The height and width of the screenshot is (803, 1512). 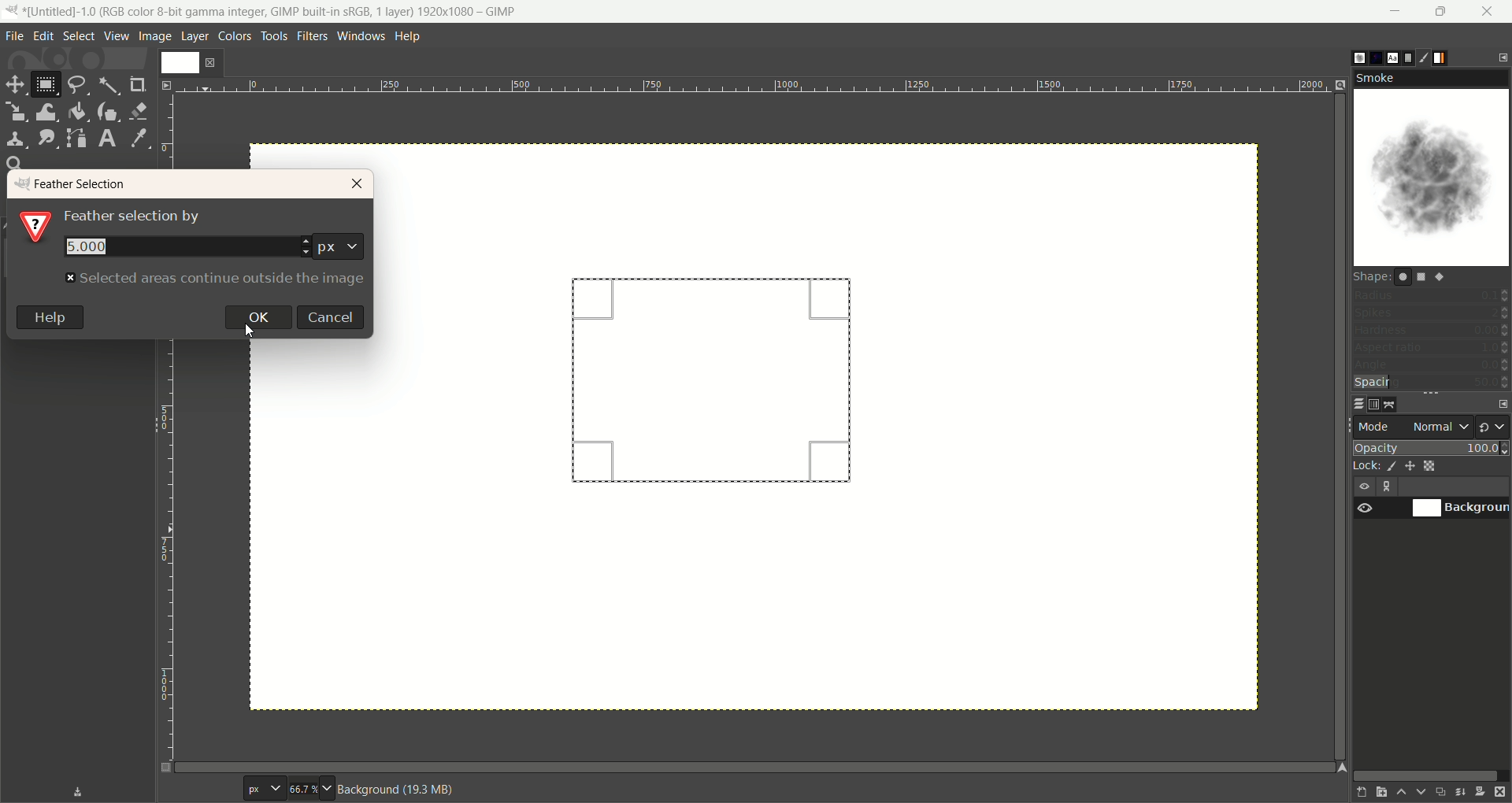 What do you see at coordinates (14, 83) in the screenshot?
I see `move tool` at bounding box center [14, 83].